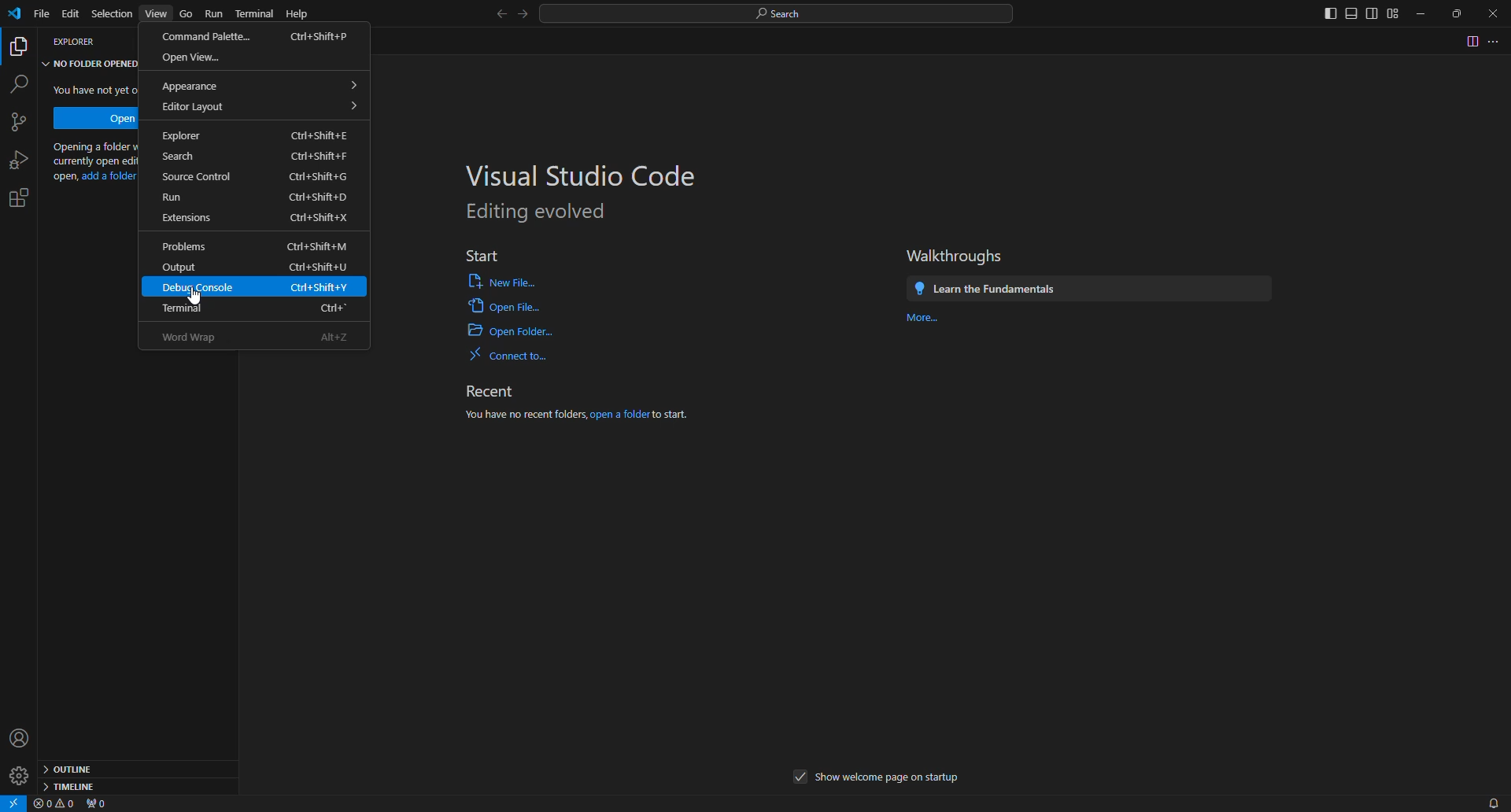  Describe the element at coordinates (490, 256) in the screenshot. I see `Start` at that location.